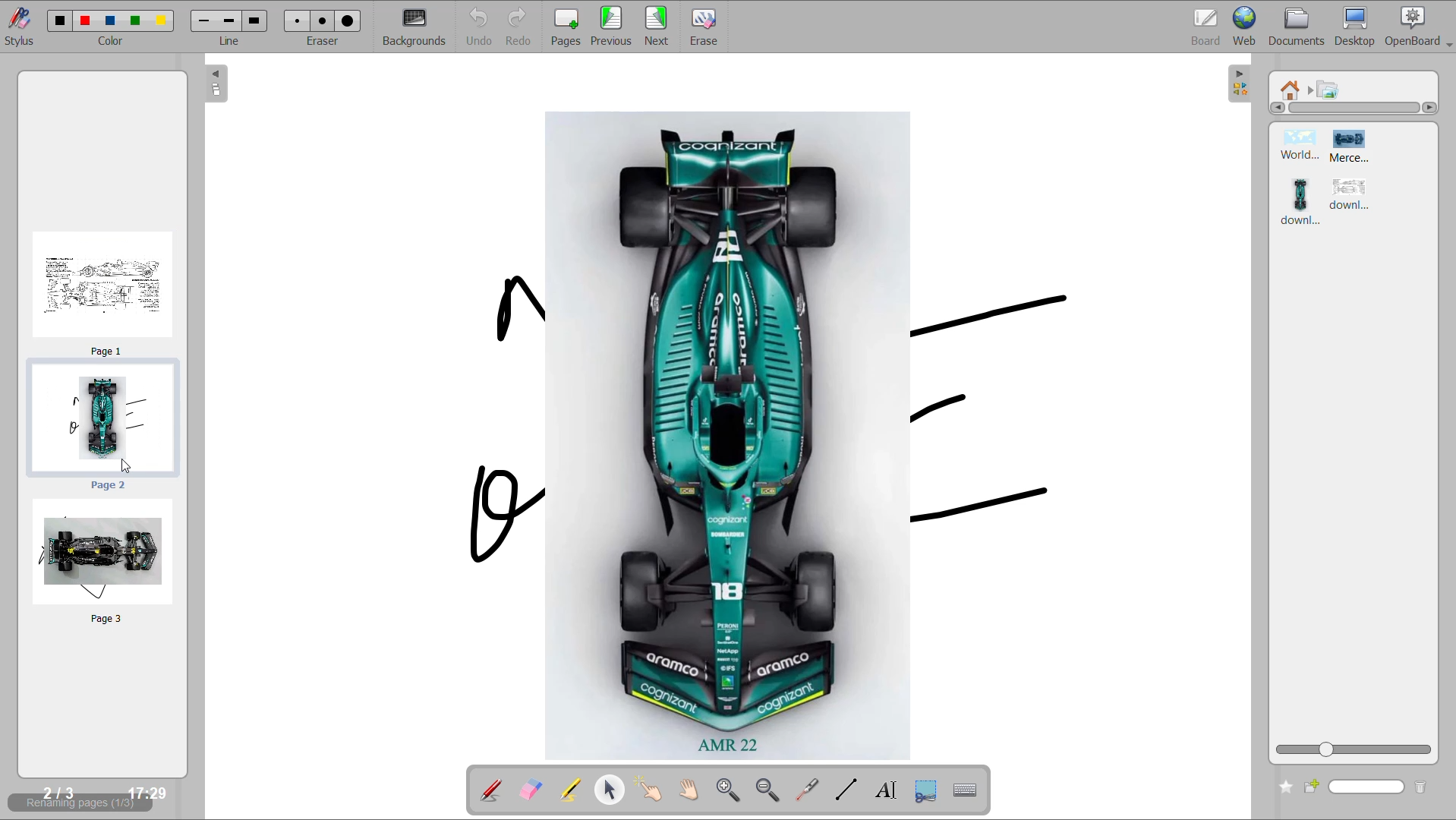  What do you see at coordinates (257, 21) in the screenshot?
I see `line size 3` at bounding box center [257, 21].